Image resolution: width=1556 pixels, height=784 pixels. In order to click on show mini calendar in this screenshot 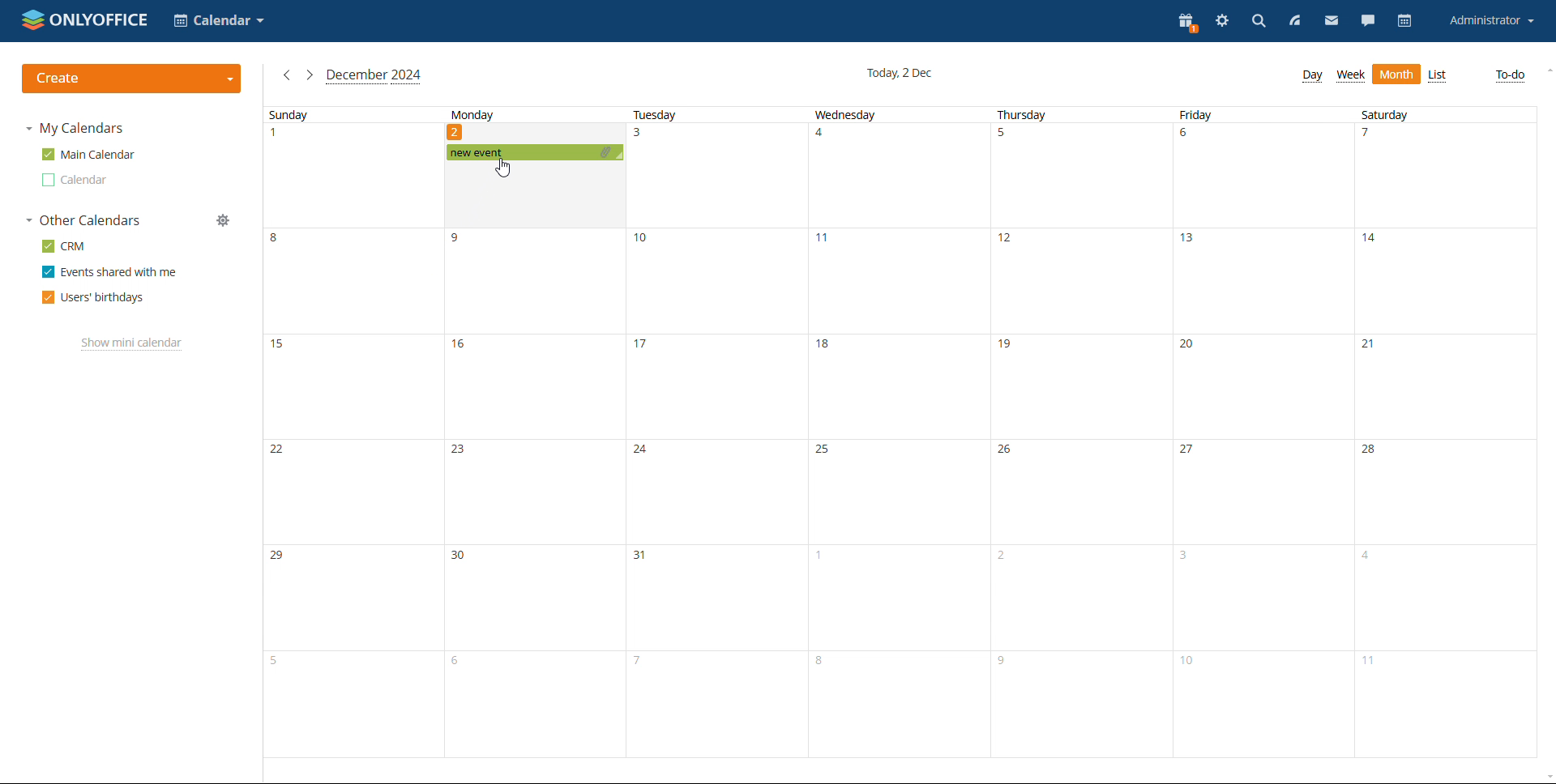, I will do `click(133, 343)`.